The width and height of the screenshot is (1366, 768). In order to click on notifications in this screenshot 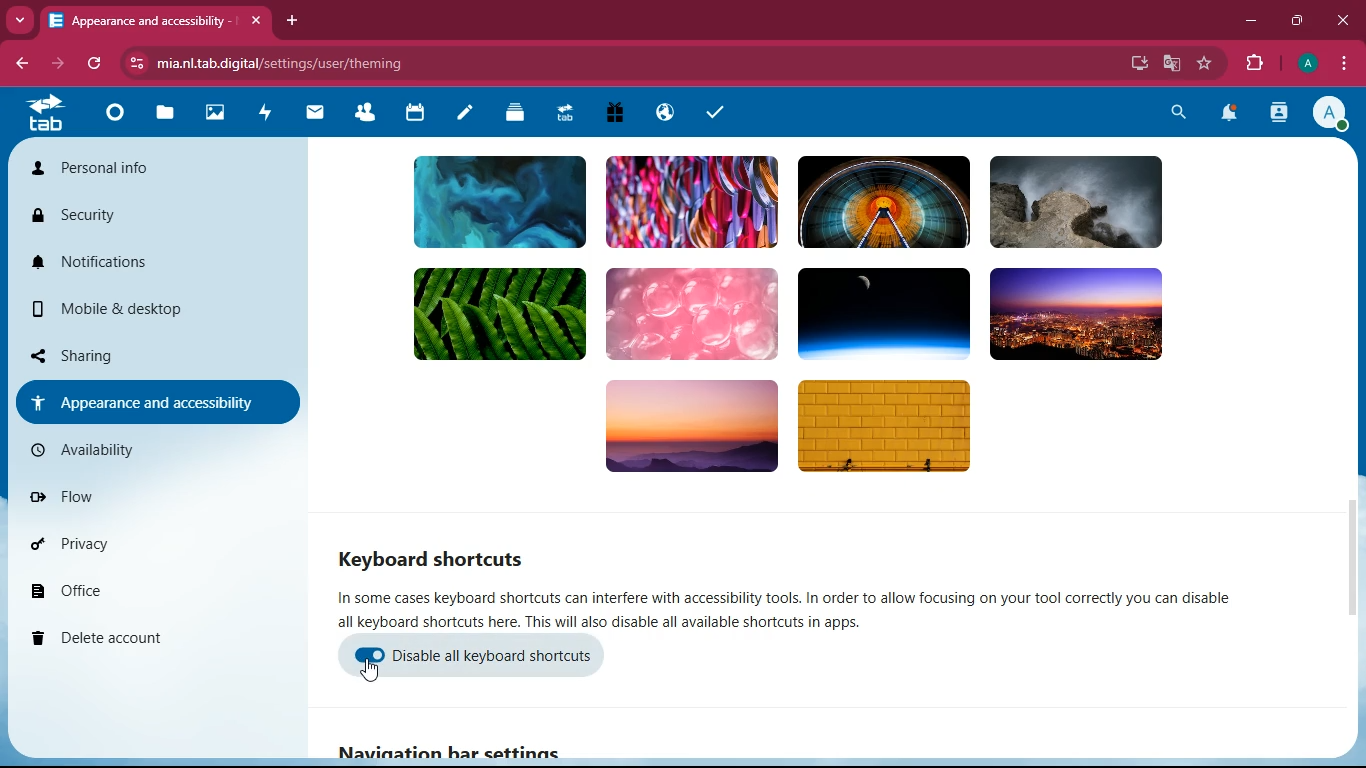, I will do `click(1228, 114)`.